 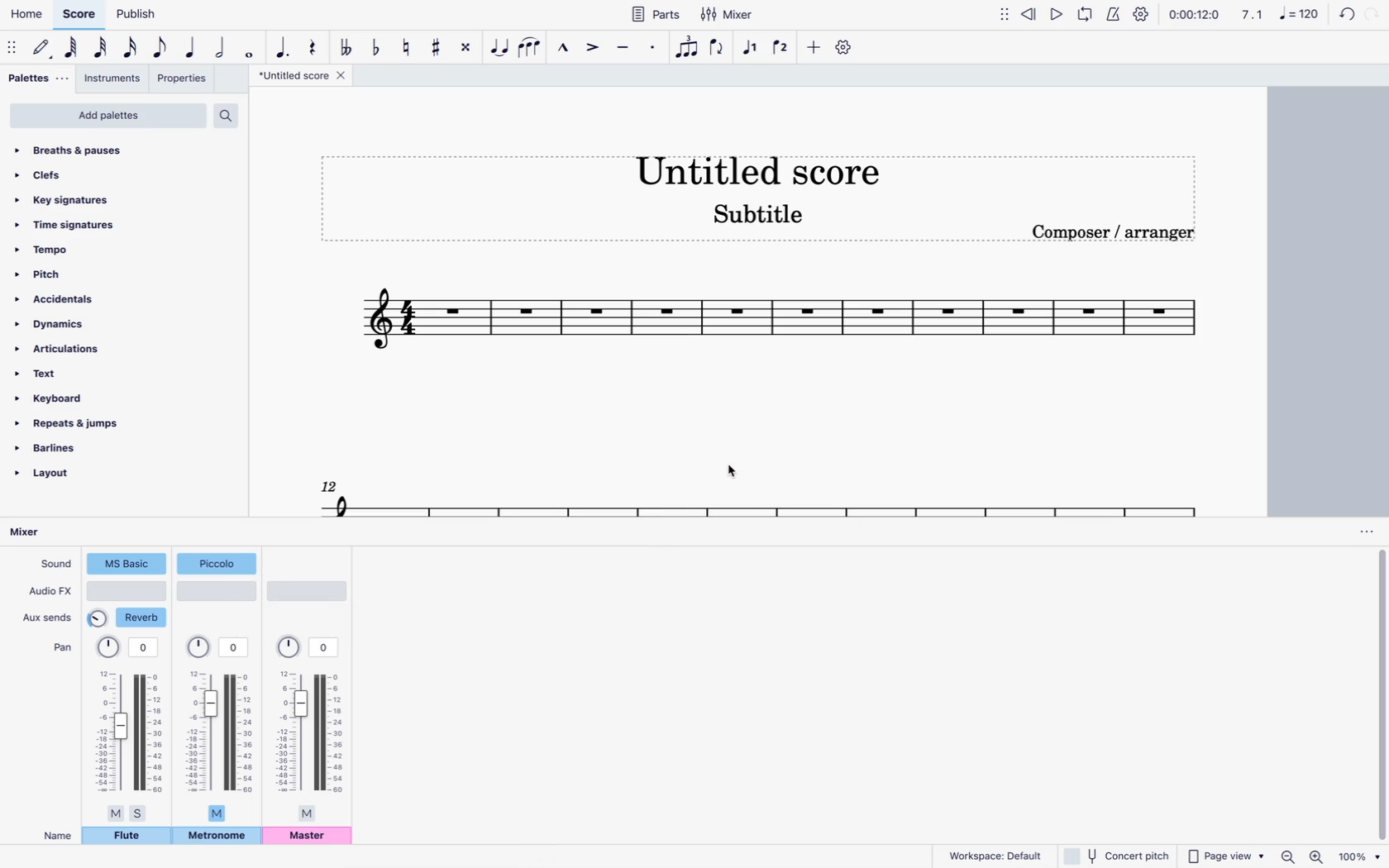 What do you see at coordinates (590, 51) in the screenshot?
I see `accent` at bounding box center [590, 51].